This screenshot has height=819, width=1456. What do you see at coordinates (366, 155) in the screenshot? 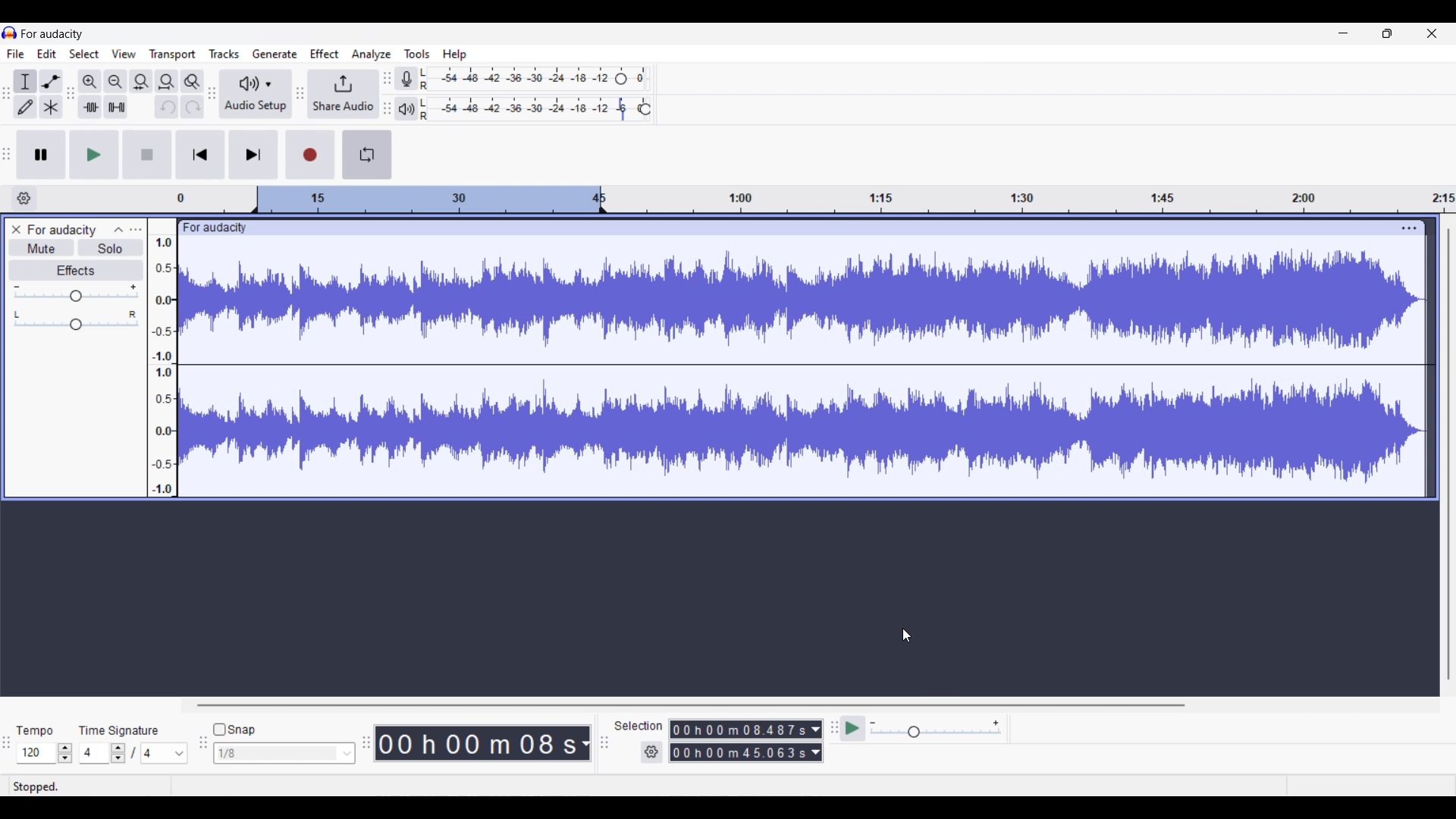
I see `Enable looping` at bounding box center [366, 155].